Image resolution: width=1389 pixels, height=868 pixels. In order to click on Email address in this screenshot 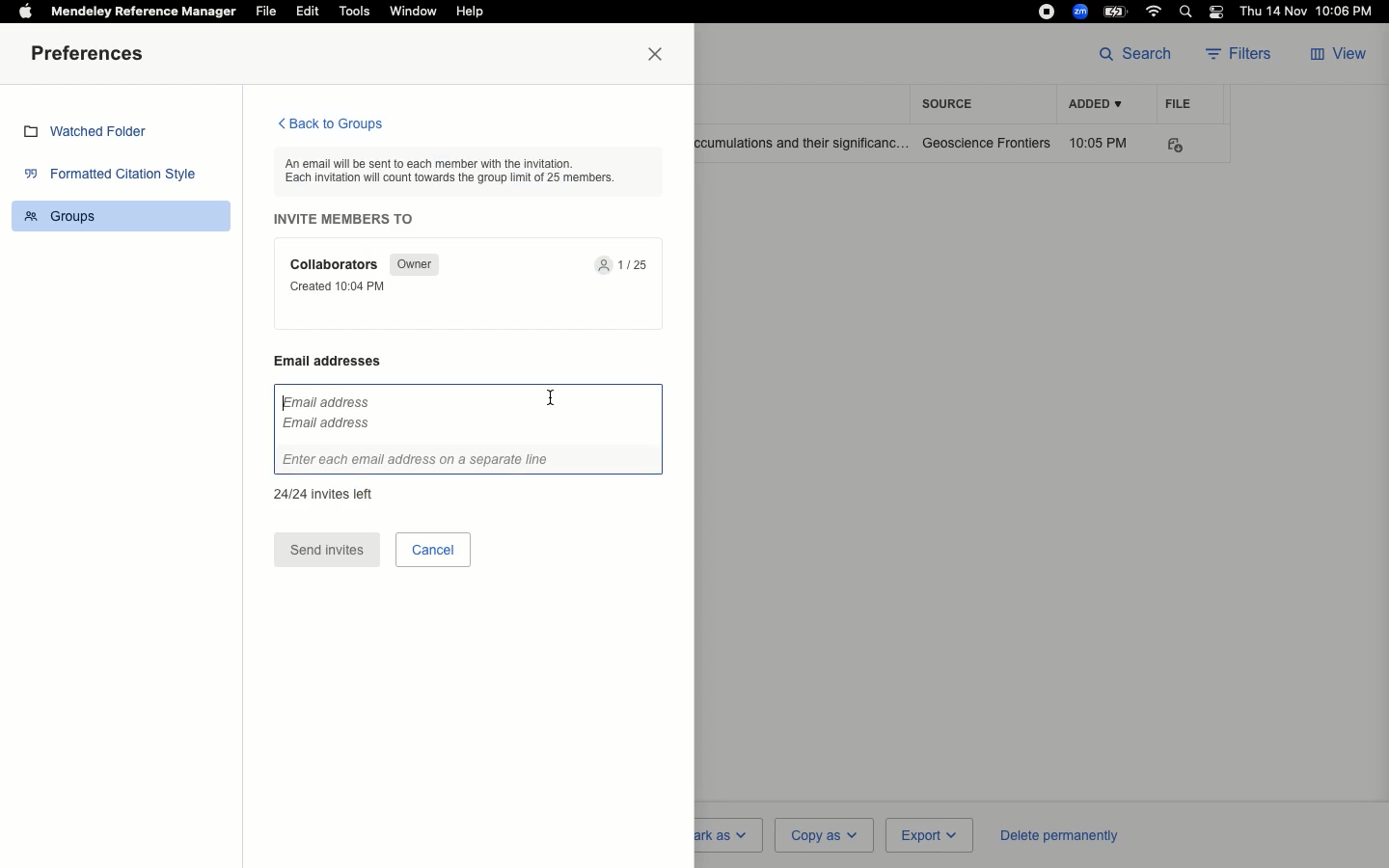, I will do `click(338, 361)`.